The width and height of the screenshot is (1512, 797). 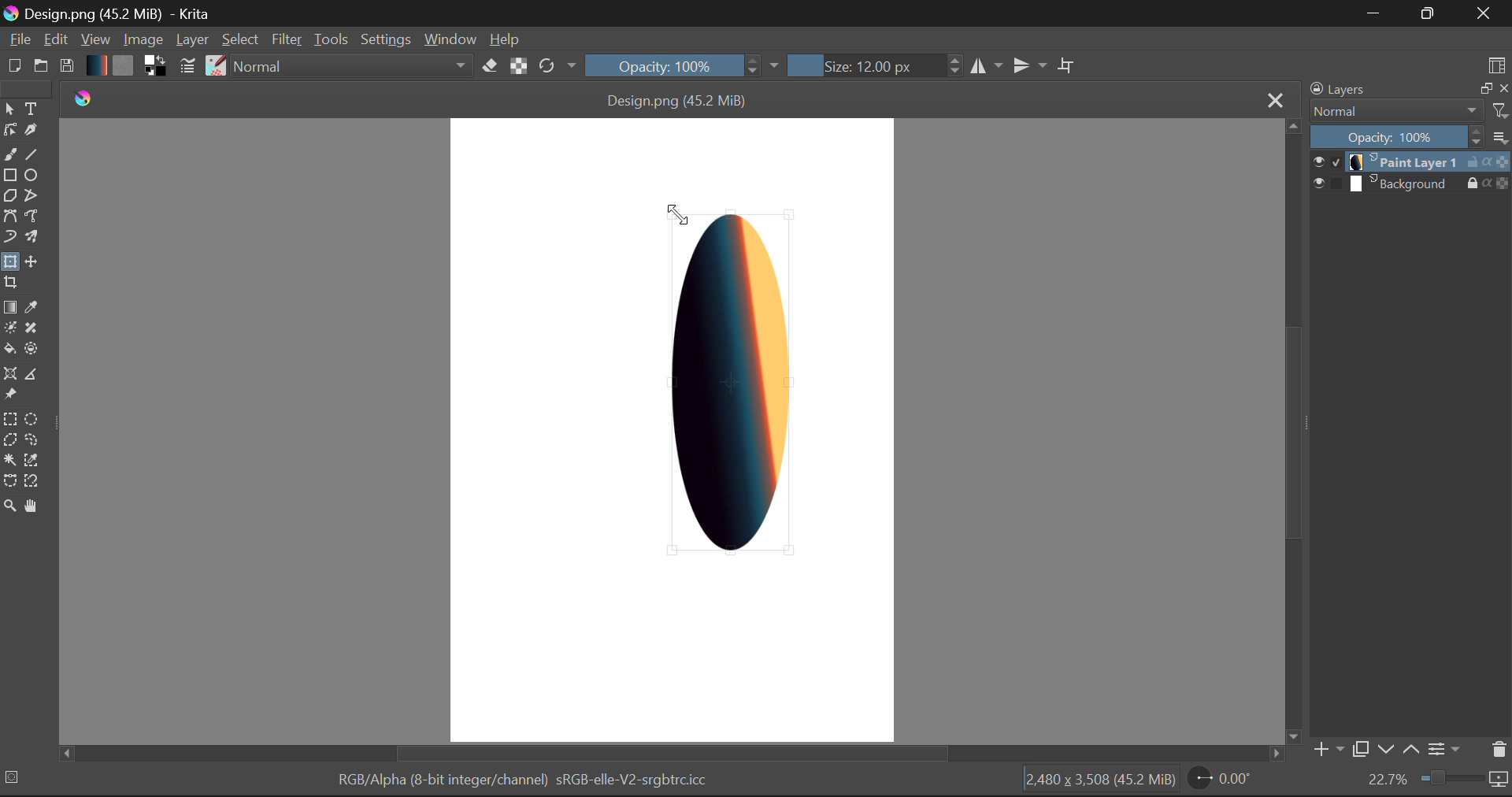 I want to click on Scroll Bar, so click(x=675, y=754).